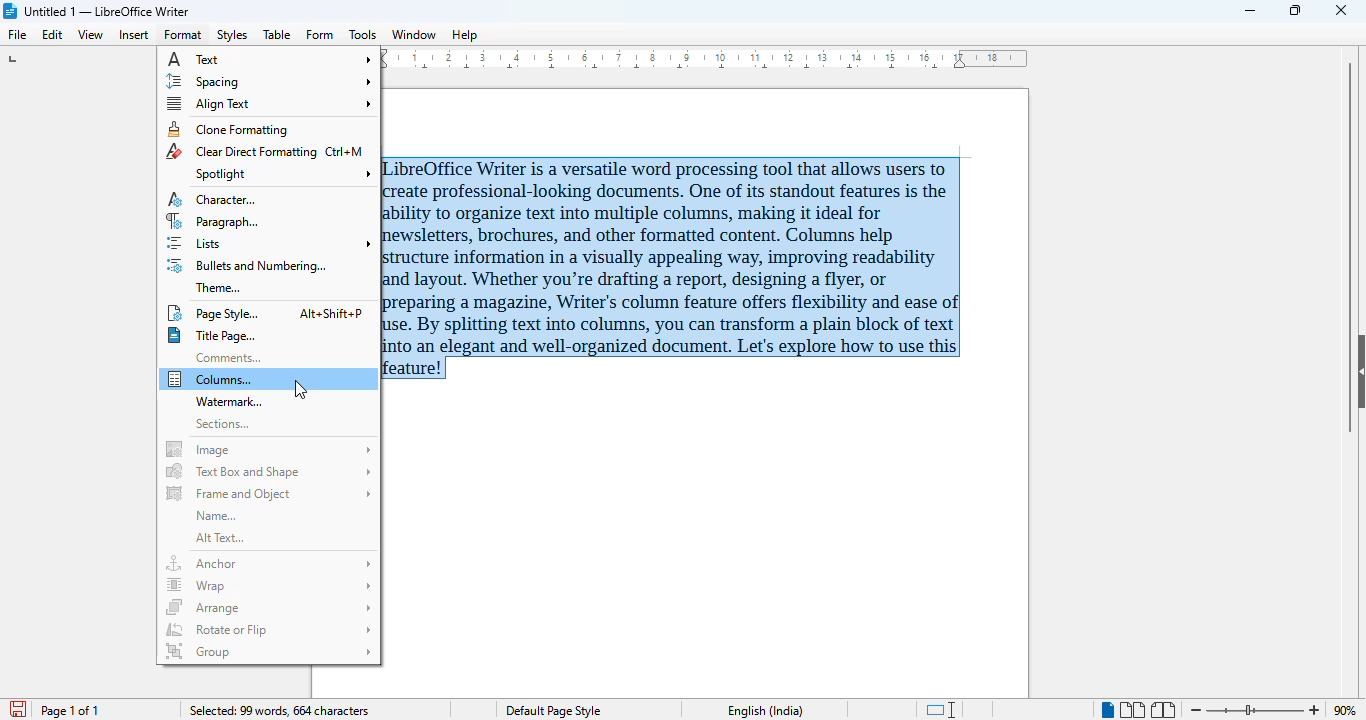 This screenshot has height=720, width=1366. I want to click on rotate or flip, so click(271, 629).